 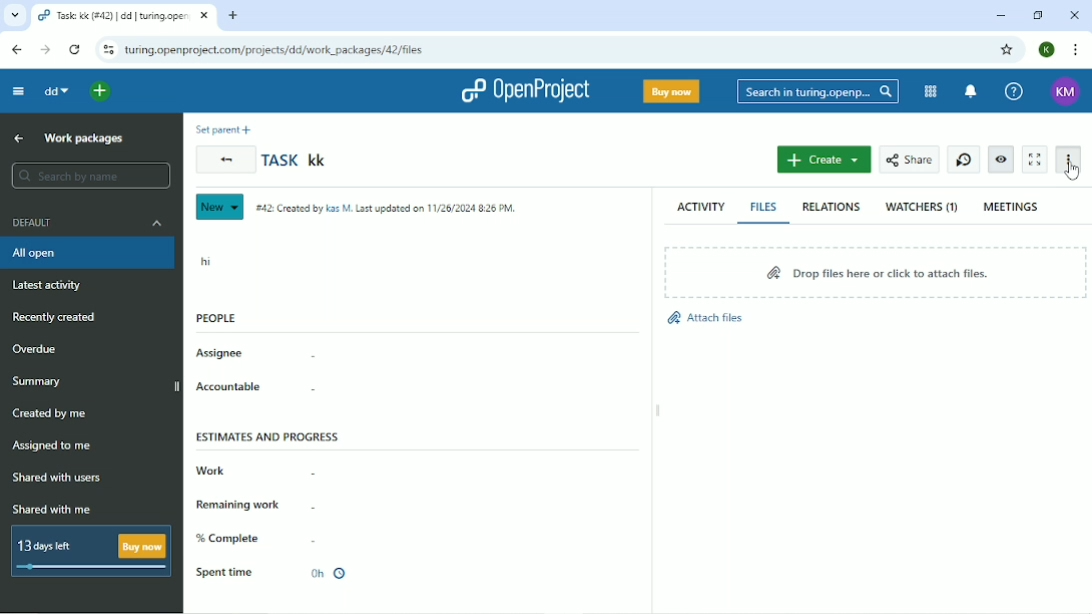 I want to click on New, so click(x=221, y=207).